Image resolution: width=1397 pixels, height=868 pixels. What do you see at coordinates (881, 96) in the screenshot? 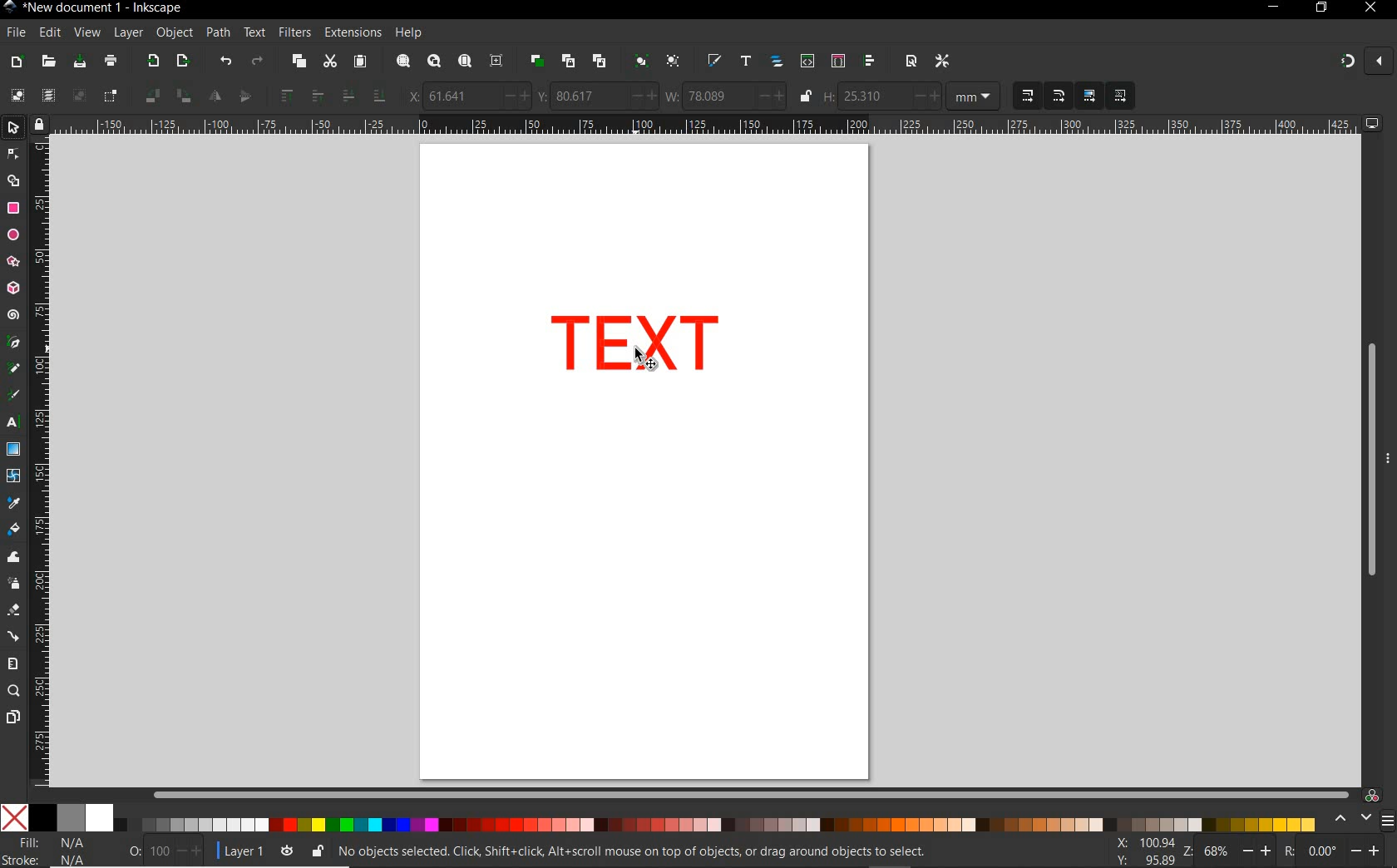
I see `Height of selection` at bounding box center [881, 96].